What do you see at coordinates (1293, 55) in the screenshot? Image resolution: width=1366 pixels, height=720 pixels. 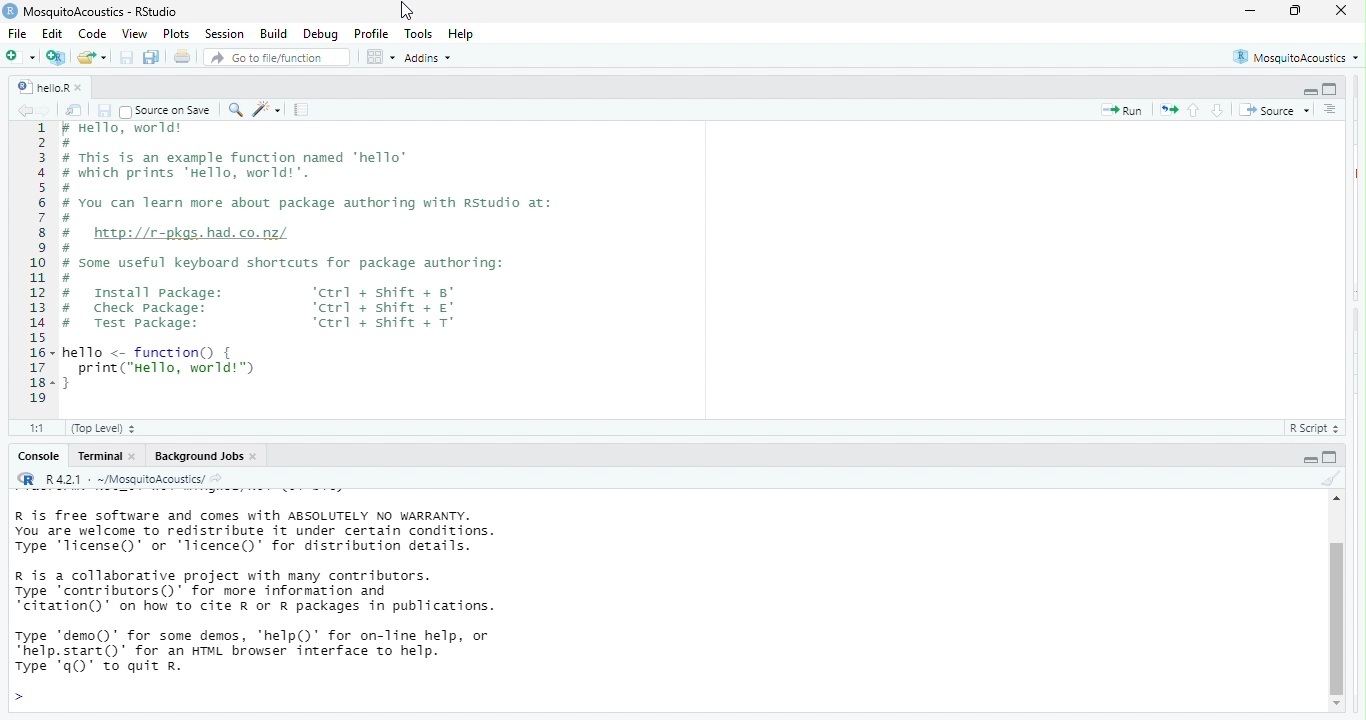 I see `® MosquitoAcoustics °` at bounding box center [1293, 55].